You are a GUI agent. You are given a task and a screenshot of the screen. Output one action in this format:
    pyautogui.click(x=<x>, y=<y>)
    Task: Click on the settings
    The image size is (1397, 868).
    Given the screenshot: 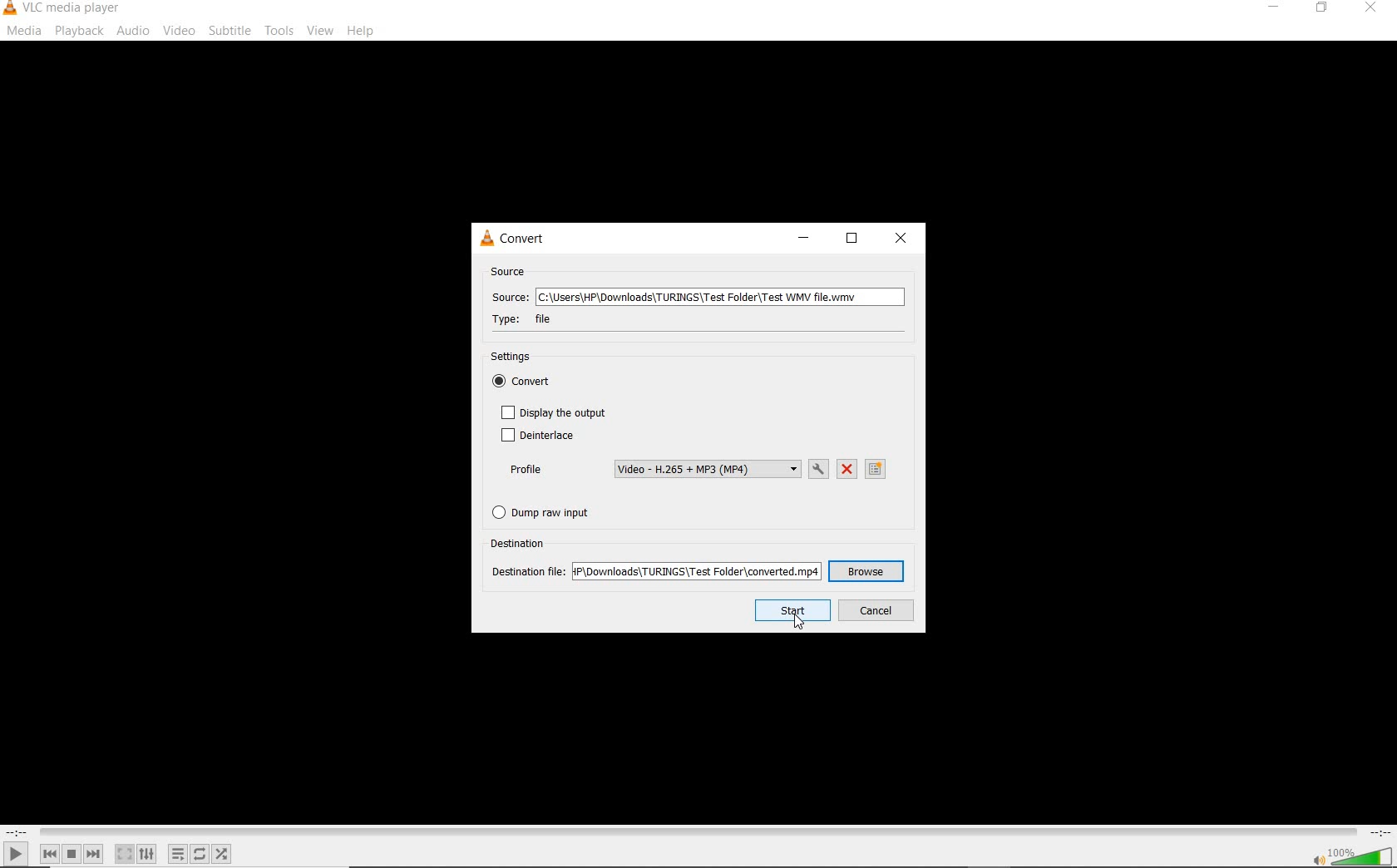 What is the action you would take?
    pyautogui.click(x=518, y=358)
    